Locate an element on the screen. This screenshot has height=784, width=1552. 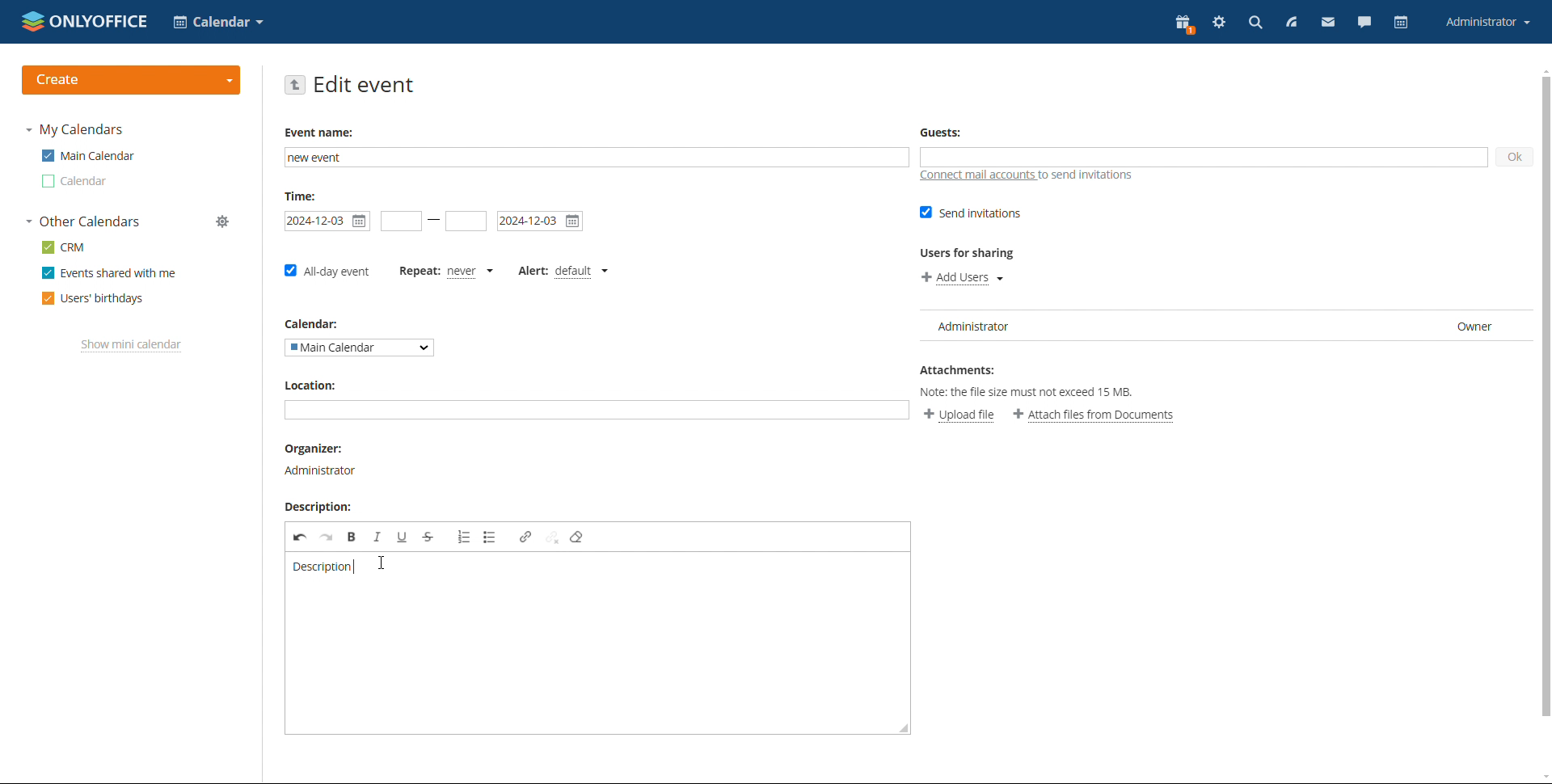
manage is located at coordinates (223, 221).